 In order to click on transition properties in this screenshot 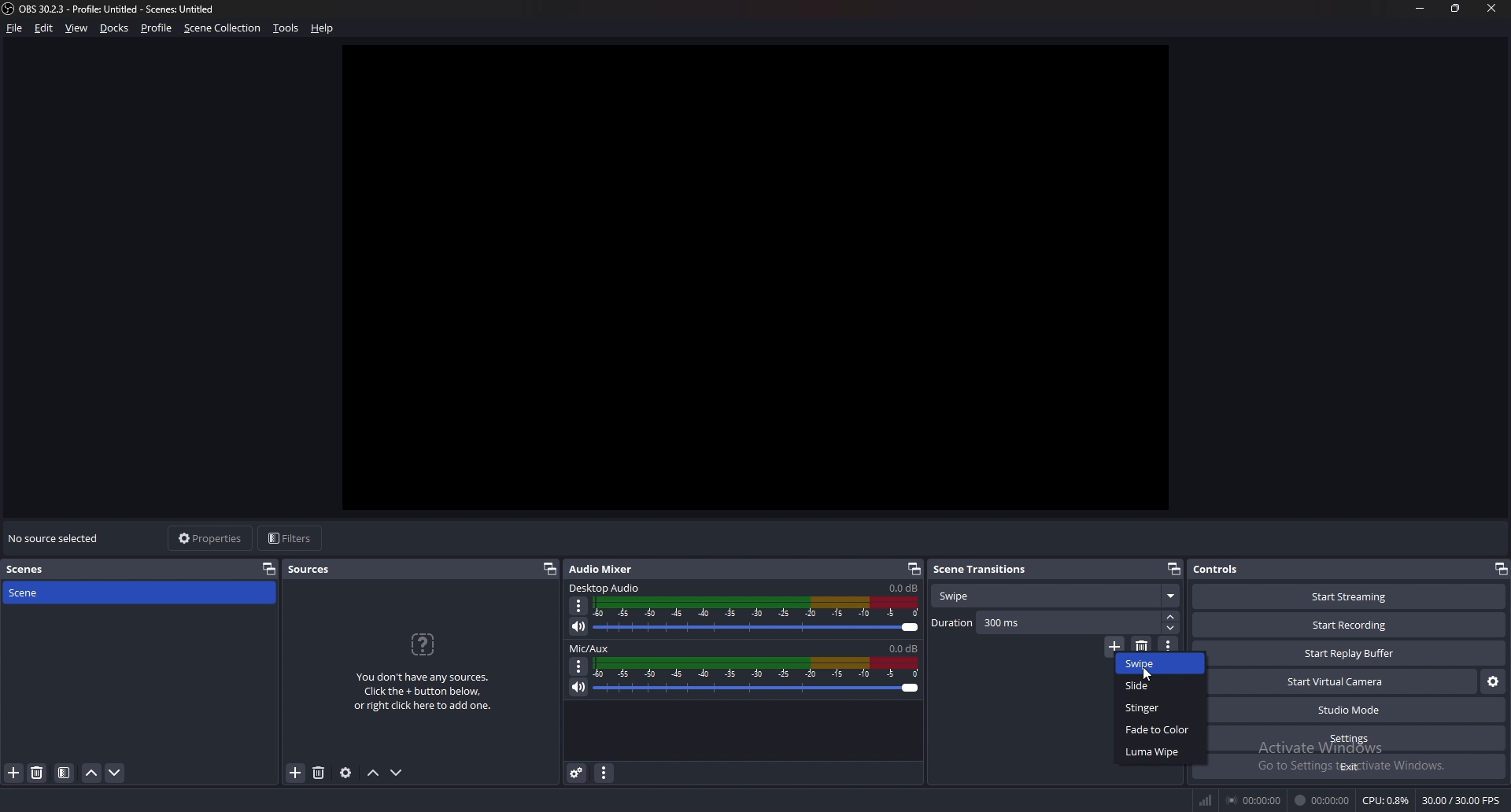, I will do `click(1169, 644)`.